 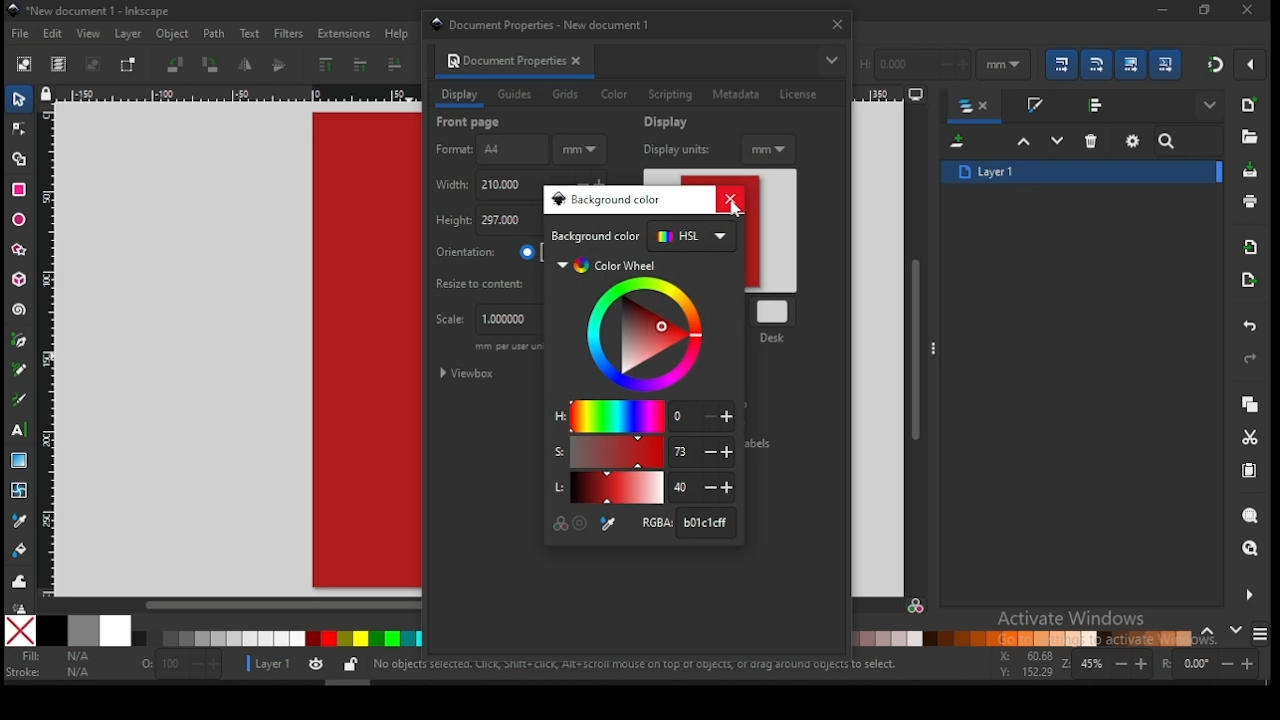 What do you see at coordinates (246, 65) in the screenshot?
I see `object flip horizontal` at bounding box center [246, 65].